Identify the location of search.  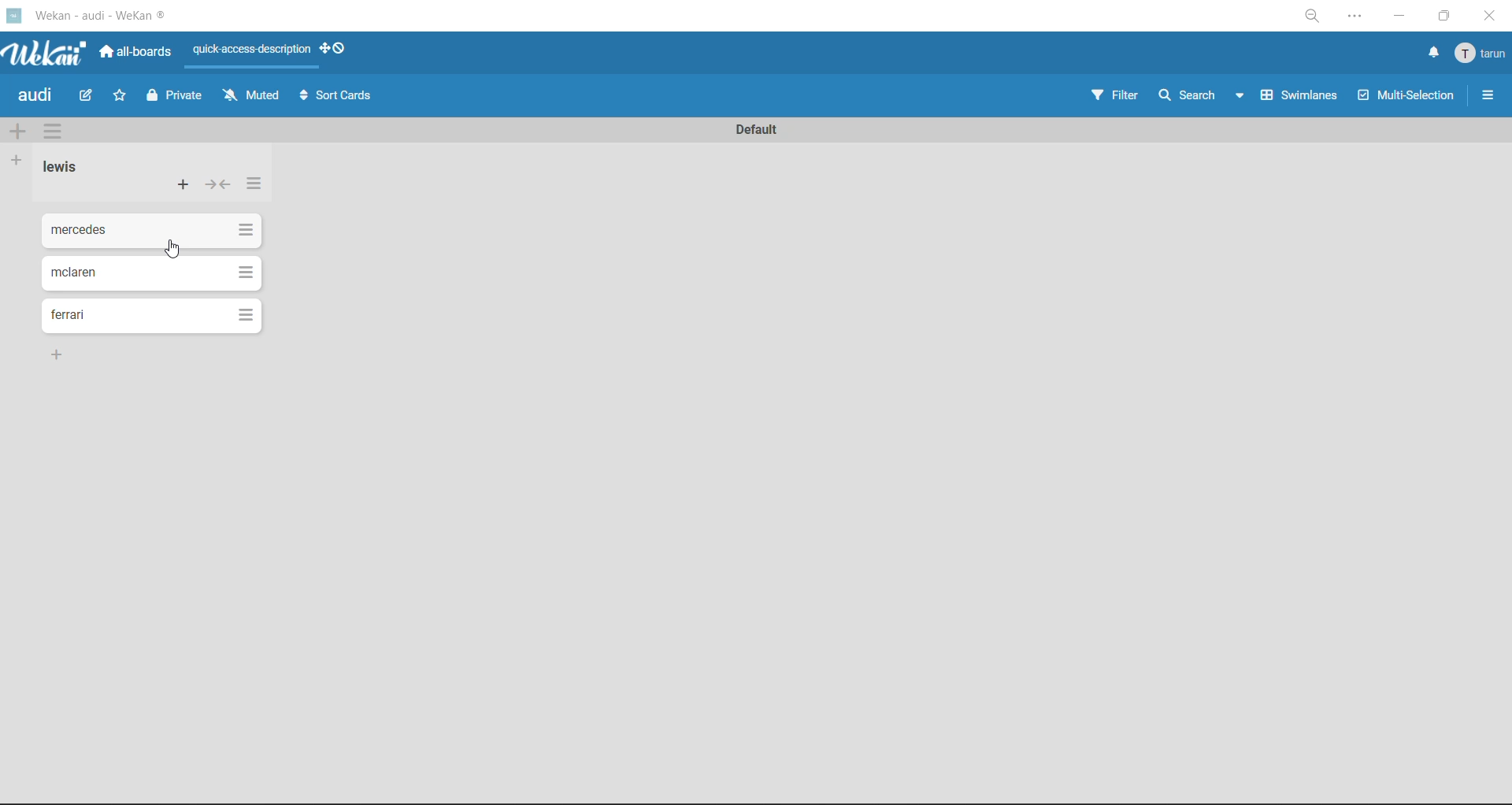
(1201, 95).